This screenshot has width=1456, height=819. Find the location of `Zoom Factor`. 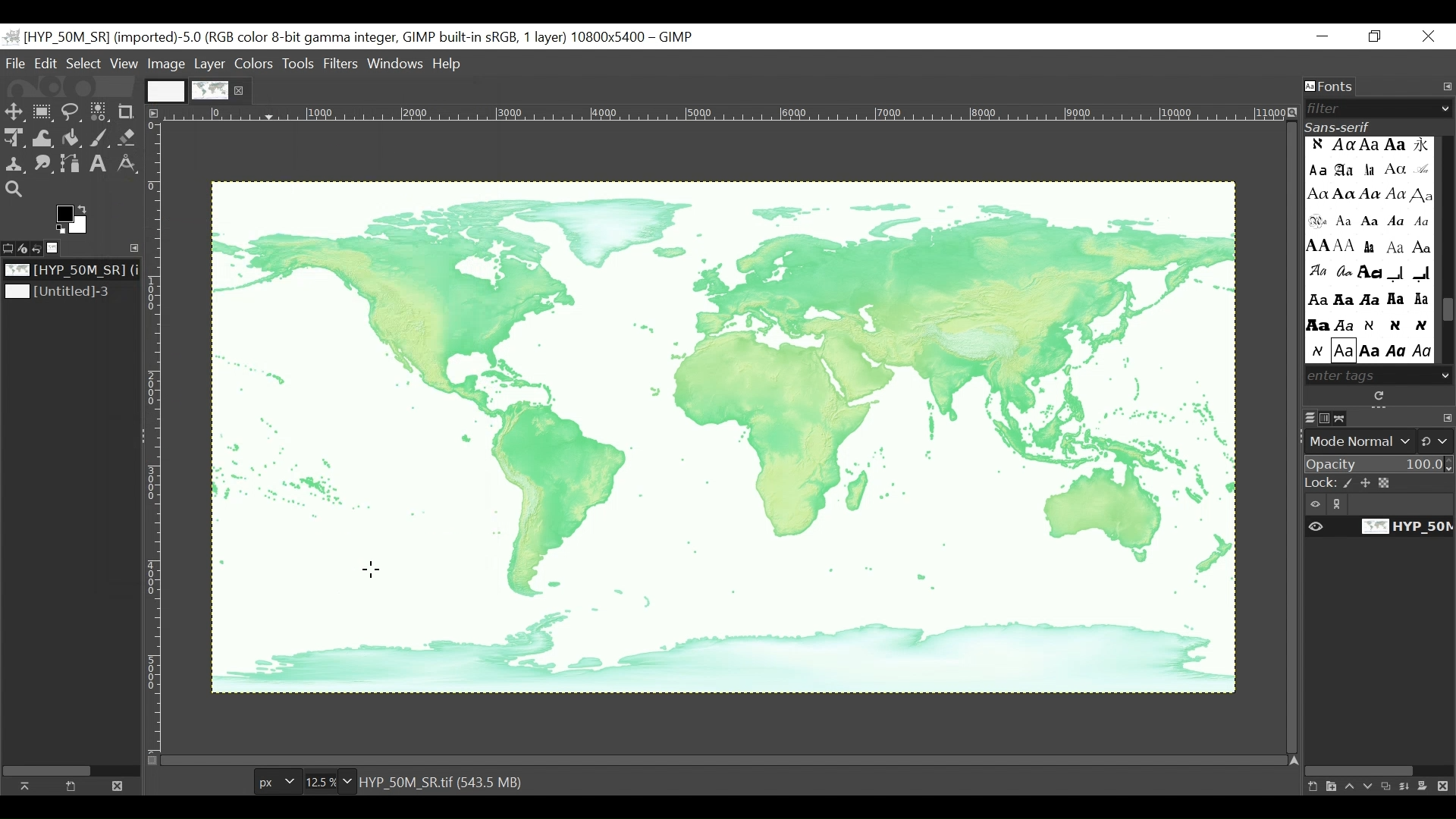

Zoom Factor is located at coordinates (325, 782).